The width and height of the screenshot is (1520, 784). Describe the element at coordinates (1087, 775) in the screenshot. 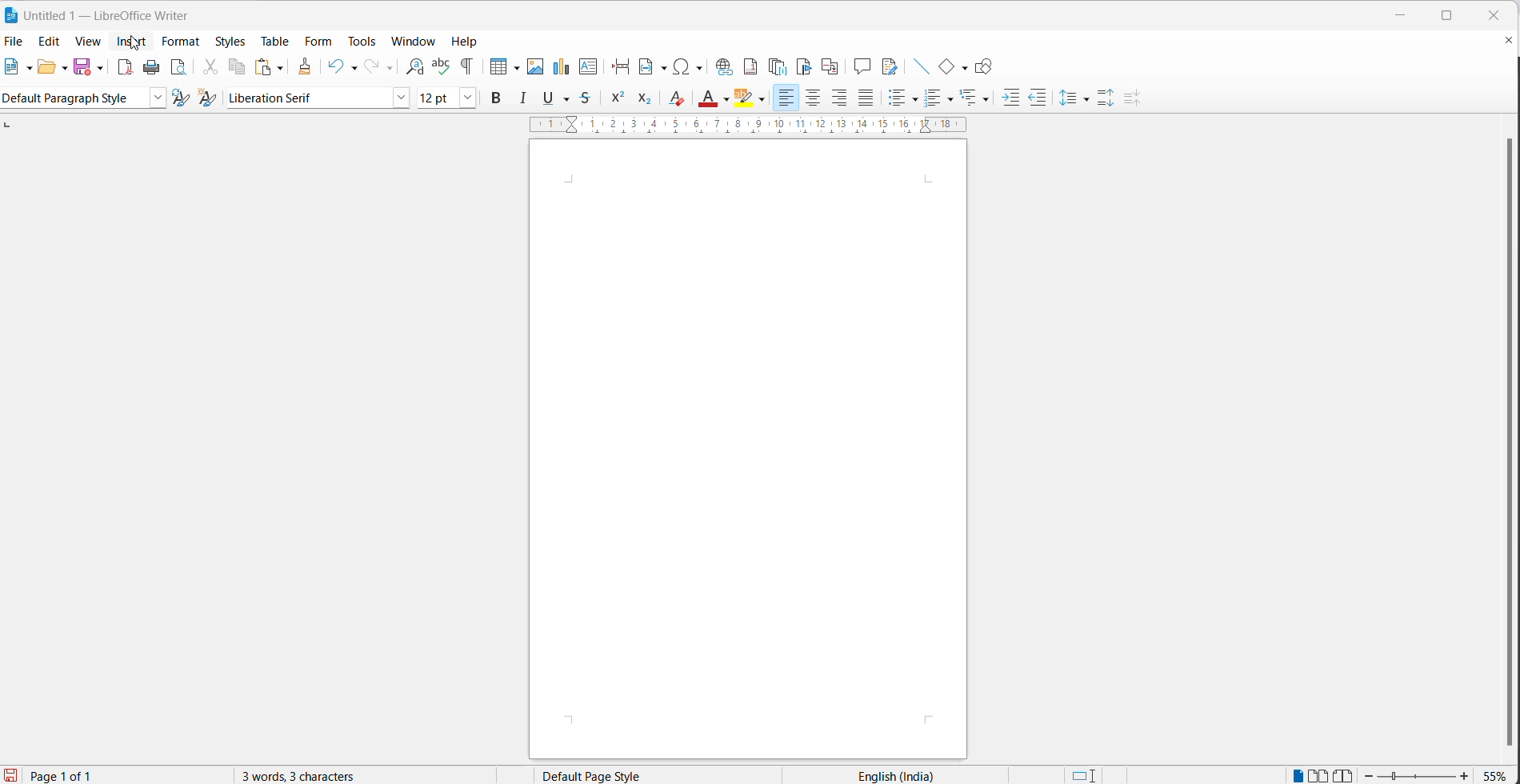

I see `standard selection` at that location.